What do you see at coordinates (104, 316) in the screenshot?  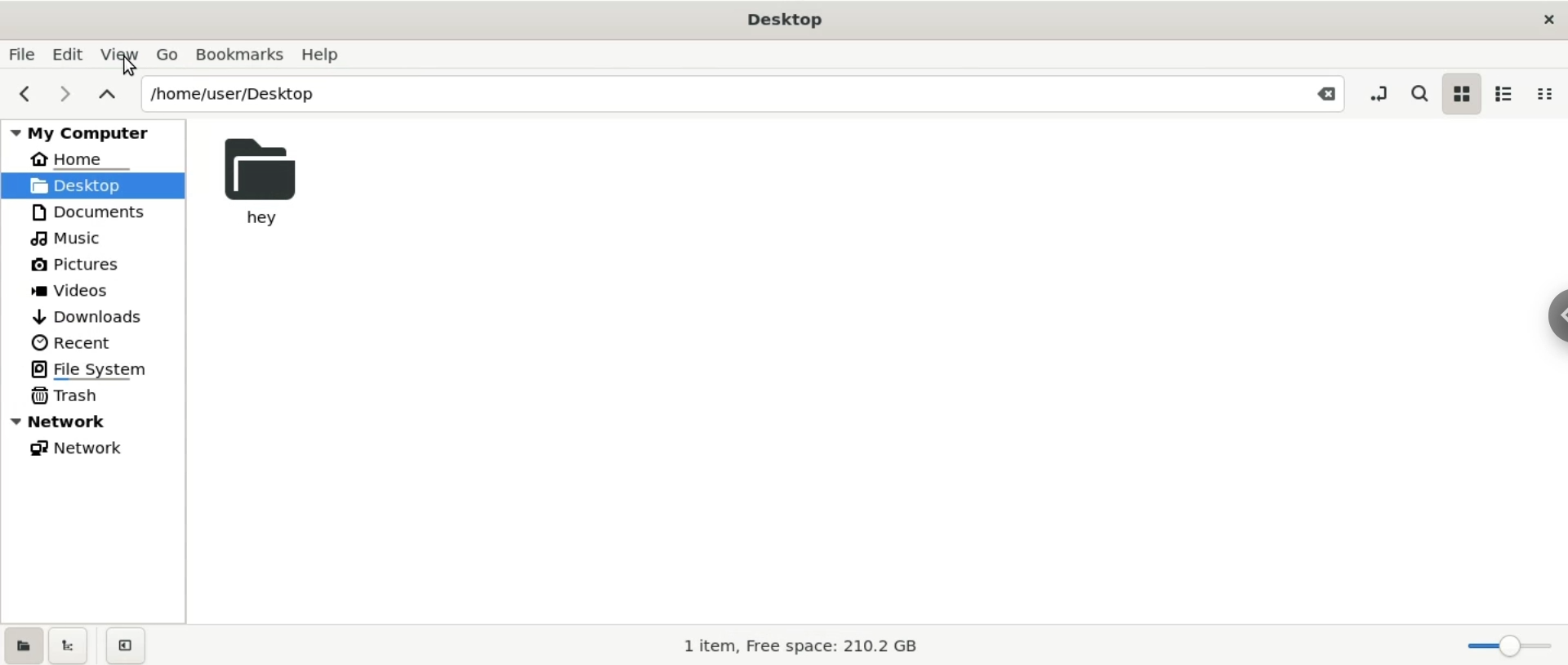 I see `Downloads` at bounding box center [104, 316].